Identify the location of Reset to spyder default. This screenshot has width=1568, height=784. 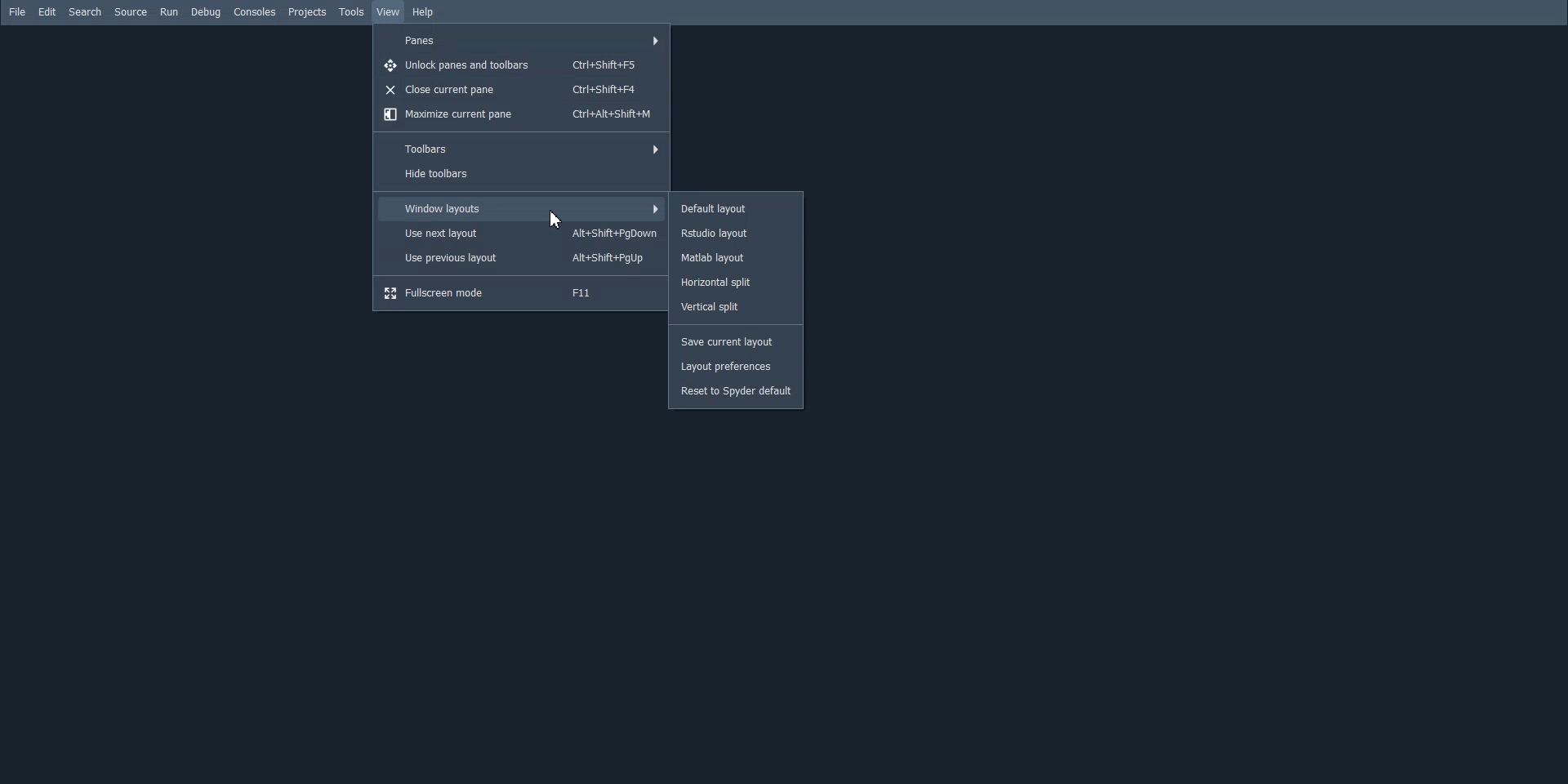
(737, 392).